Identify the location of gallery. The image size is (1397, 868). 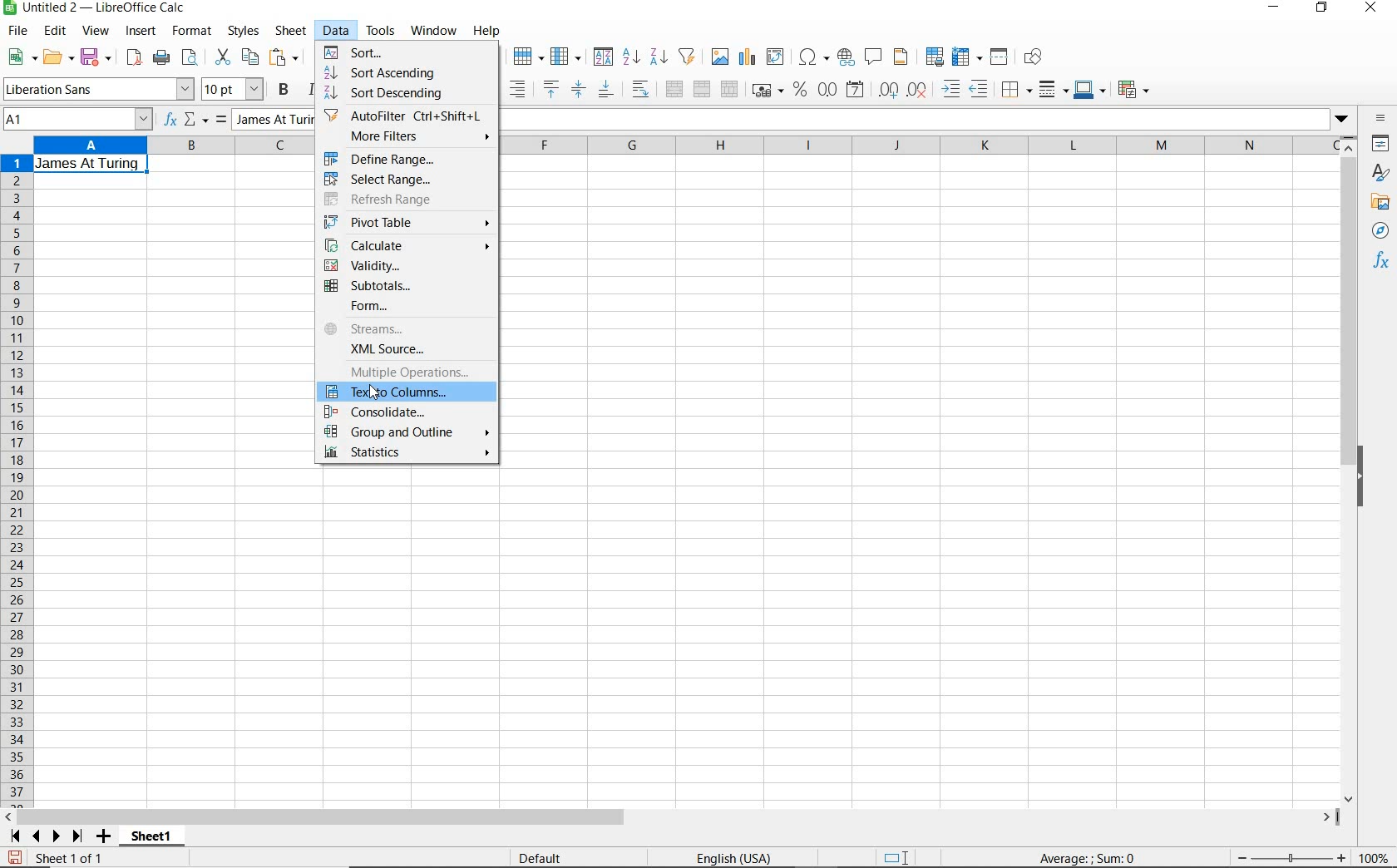
(1380, 204).